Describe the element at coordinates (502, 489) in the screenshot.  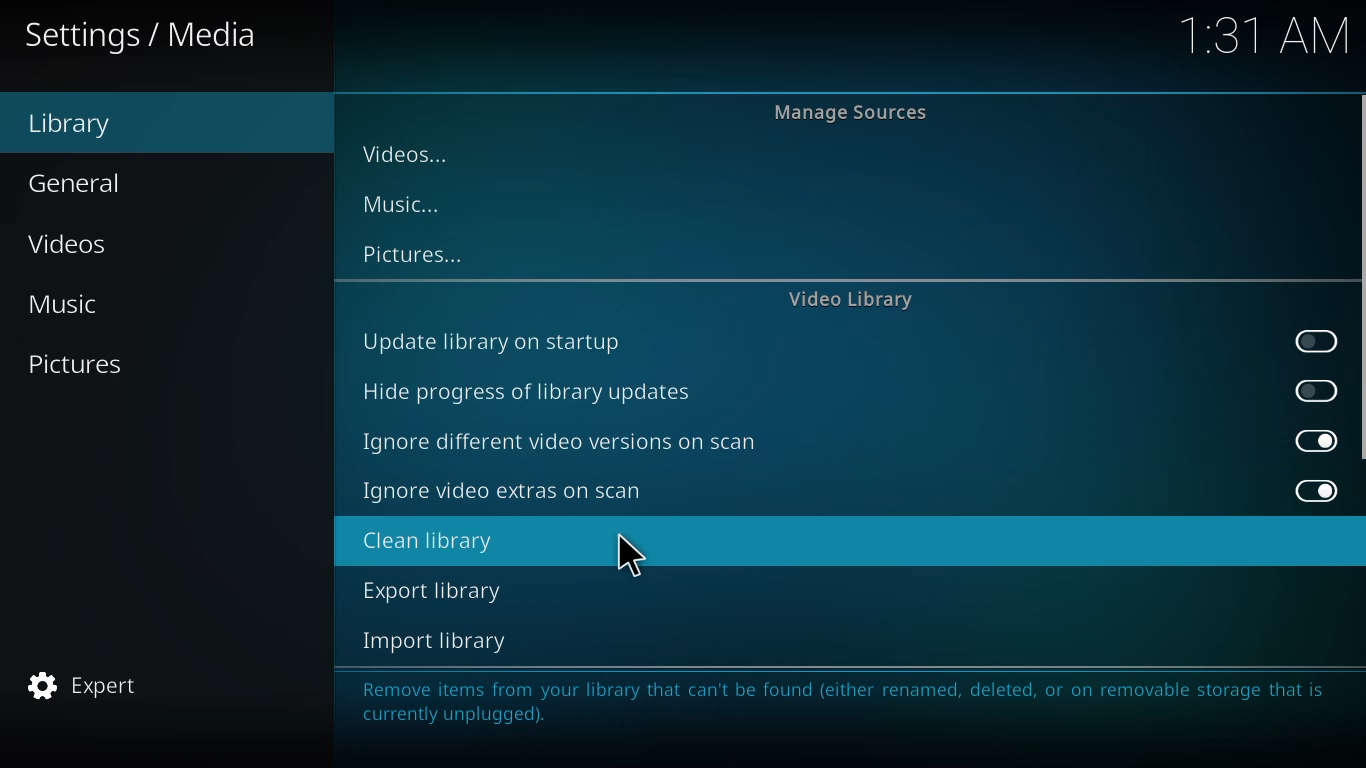
I see `ignore video extras on scan` at that location.